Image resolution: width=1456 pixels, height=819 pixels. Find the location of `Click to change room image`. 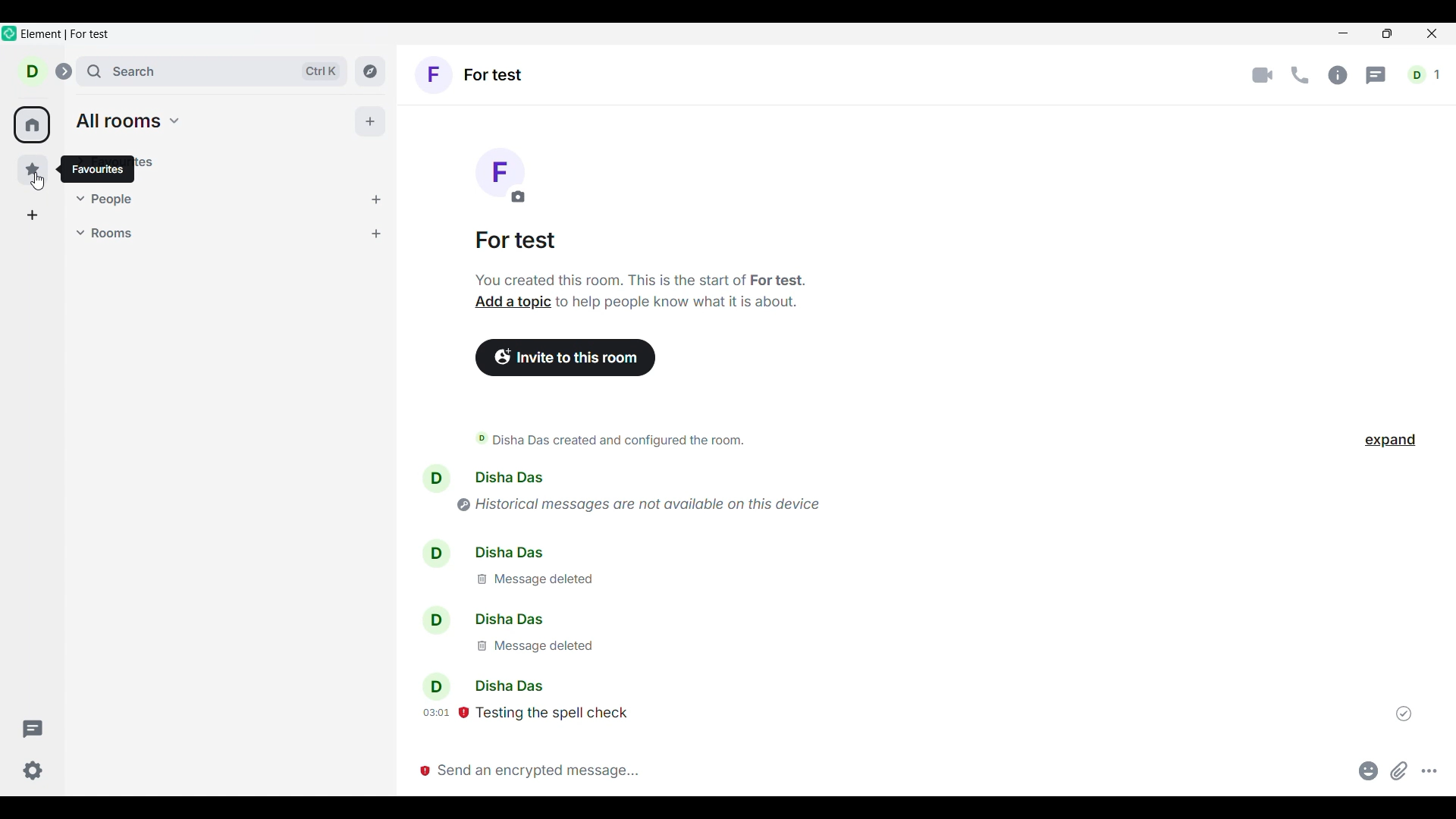

Click to change room image is located at coordinates (501, 177).